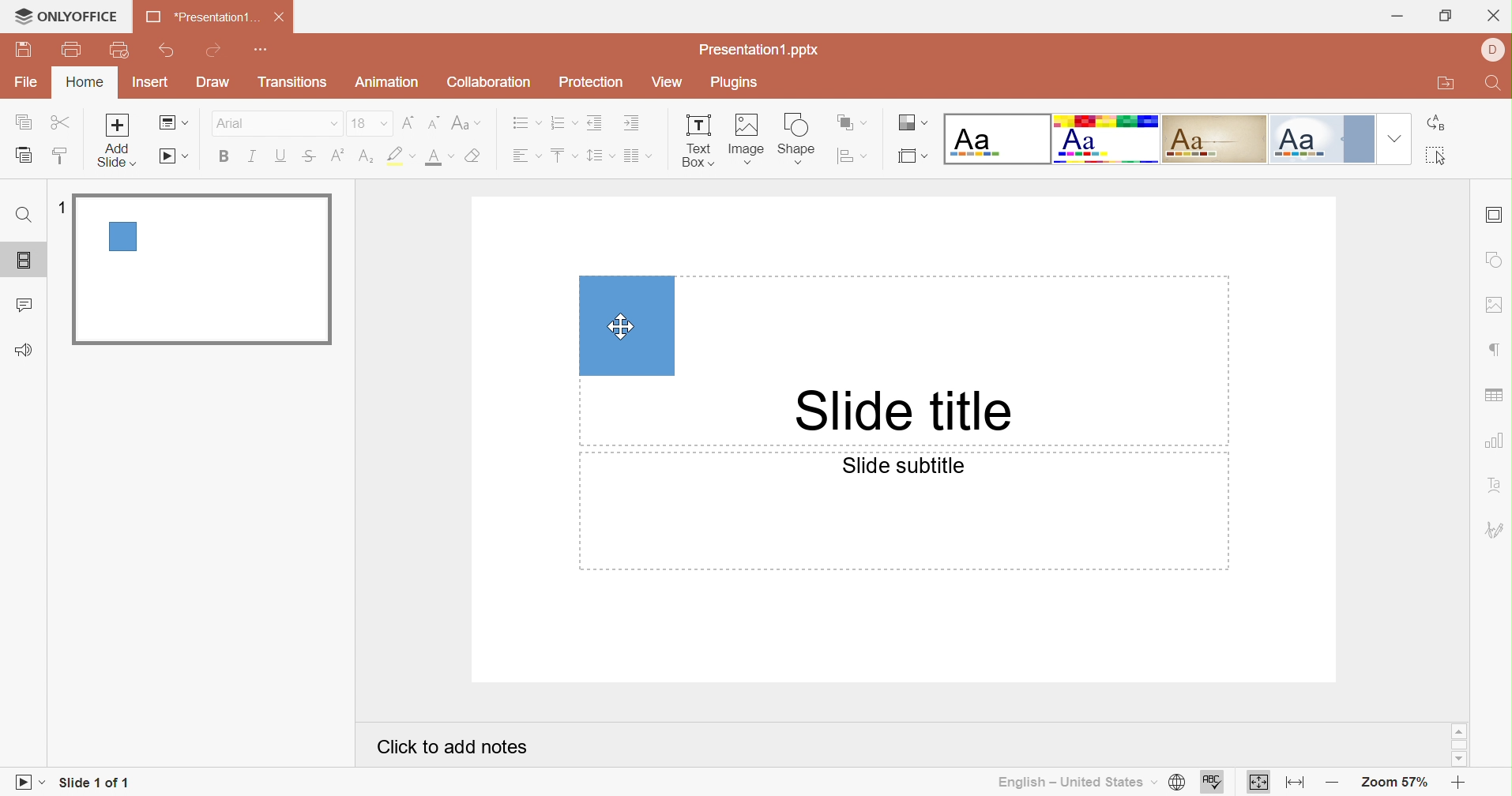 The height and width of the screenshot is (796, 1512). What do you see at coordinates (1334, 784) in the screenshot?
I see `Zoom out` at bounding box center [1334, 784].